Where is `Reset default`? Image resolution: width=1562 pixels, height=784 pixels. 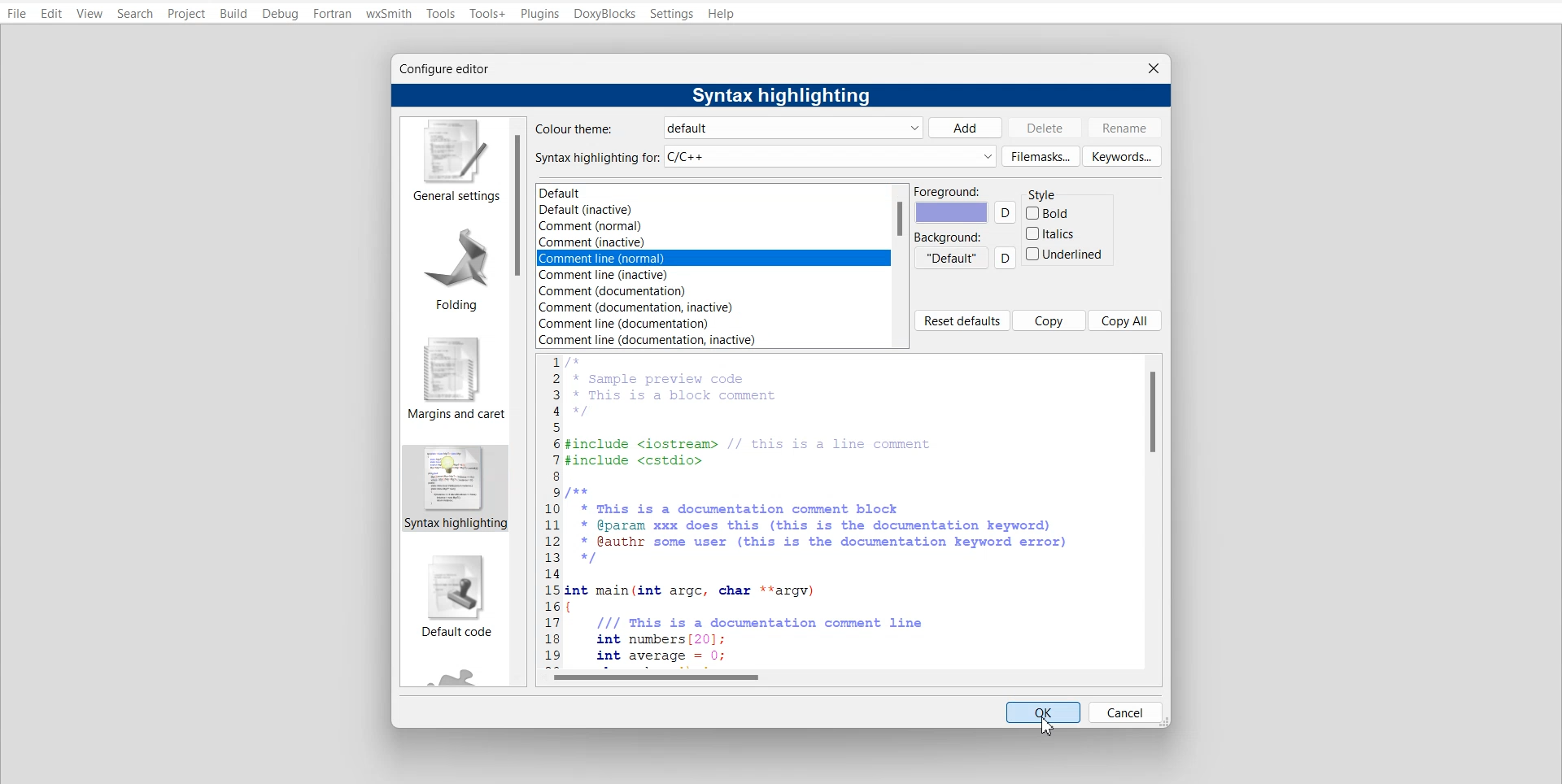
Reset default is located at coordinates (962, 320).